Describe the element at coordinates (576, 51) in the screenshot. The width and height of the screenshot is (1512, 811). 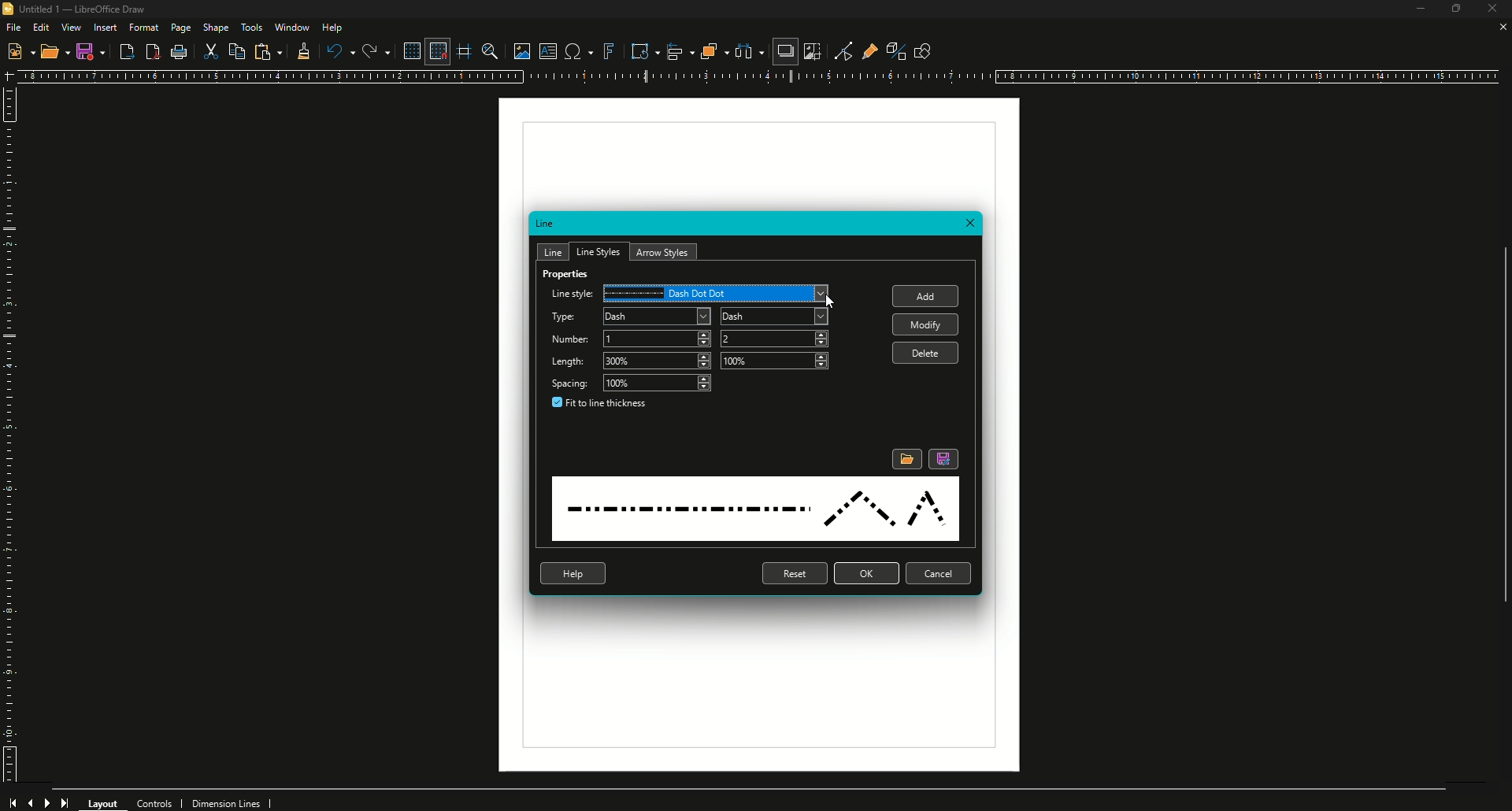
I see `Insert Special Characters` at that location.